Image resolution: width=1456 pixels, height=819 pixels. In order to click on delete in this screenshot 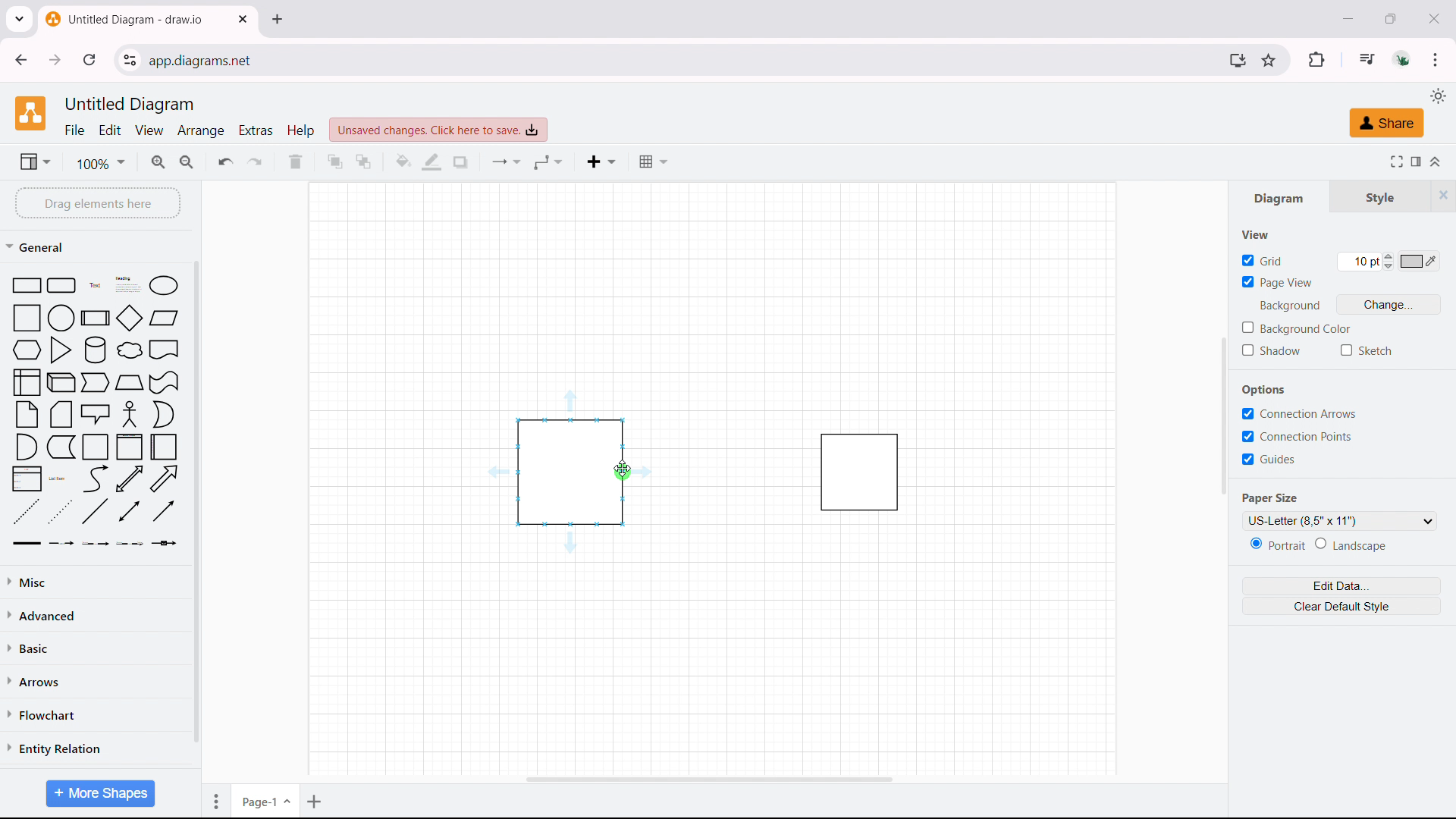, I will do `click(295, 162)`.